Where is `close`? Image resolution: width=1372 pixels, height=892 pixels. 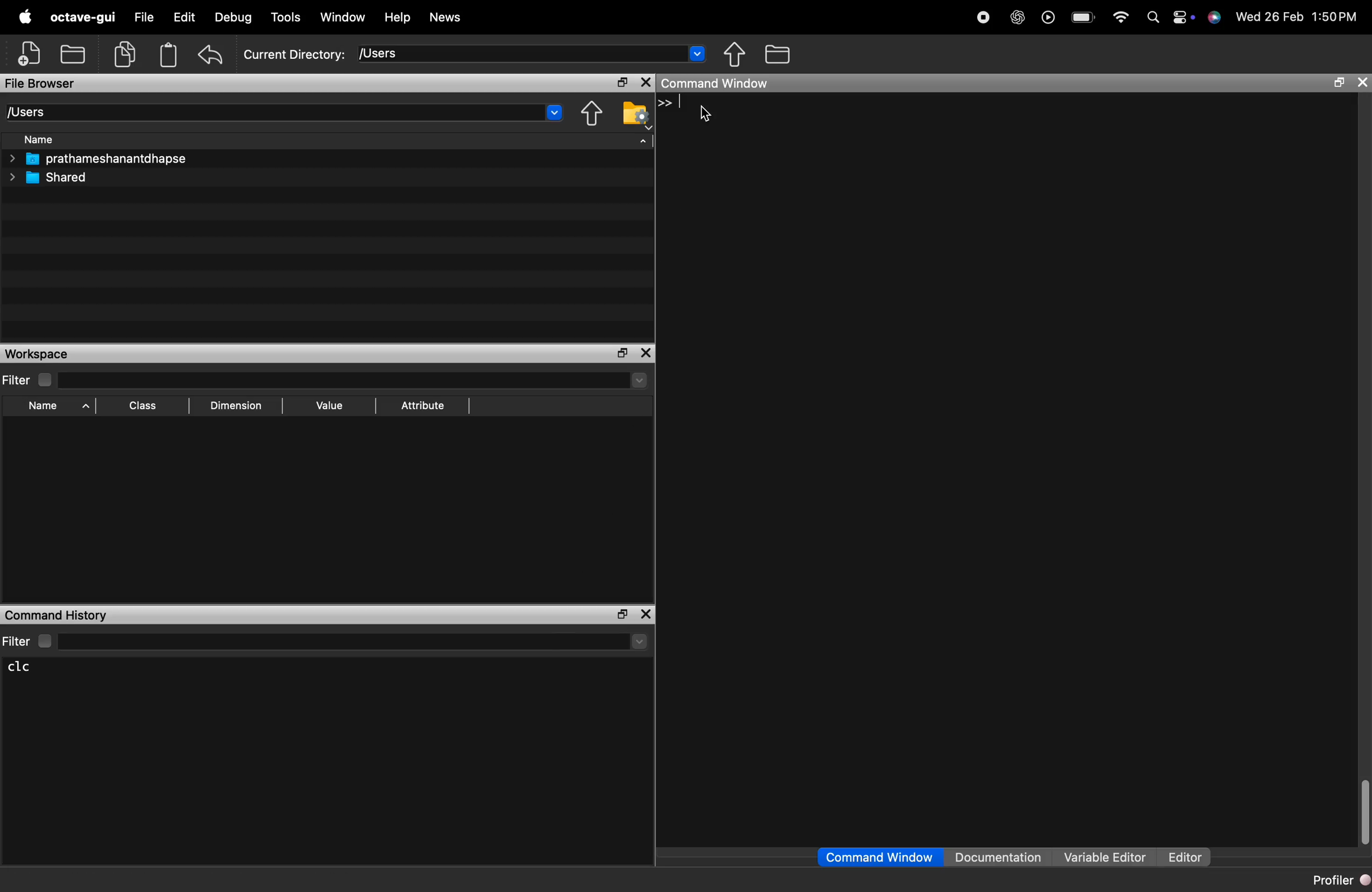
close is located at coordinates (648, 353).